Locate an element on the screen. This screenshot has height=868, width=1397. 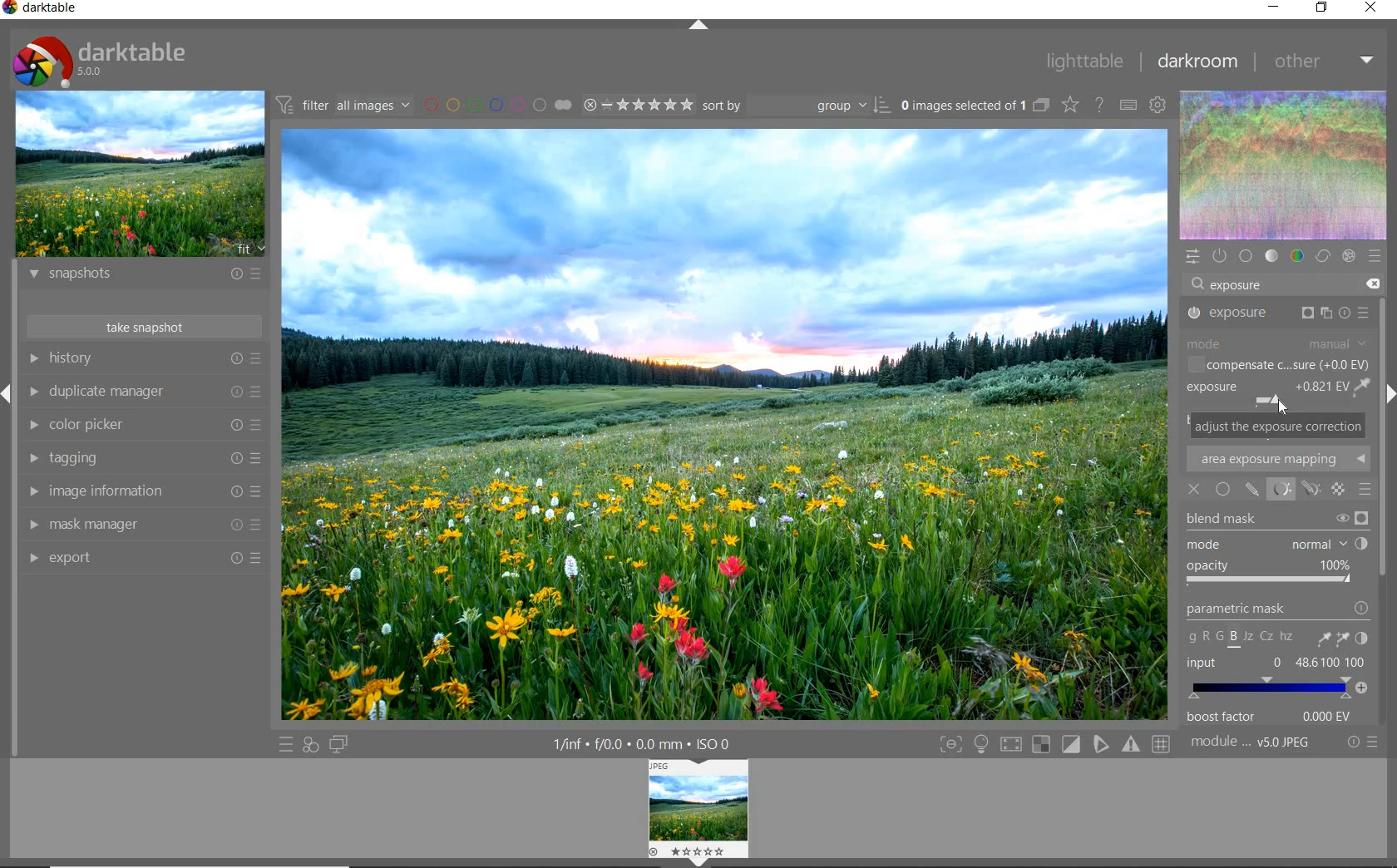
other display information is located at coordinates (644, 744).